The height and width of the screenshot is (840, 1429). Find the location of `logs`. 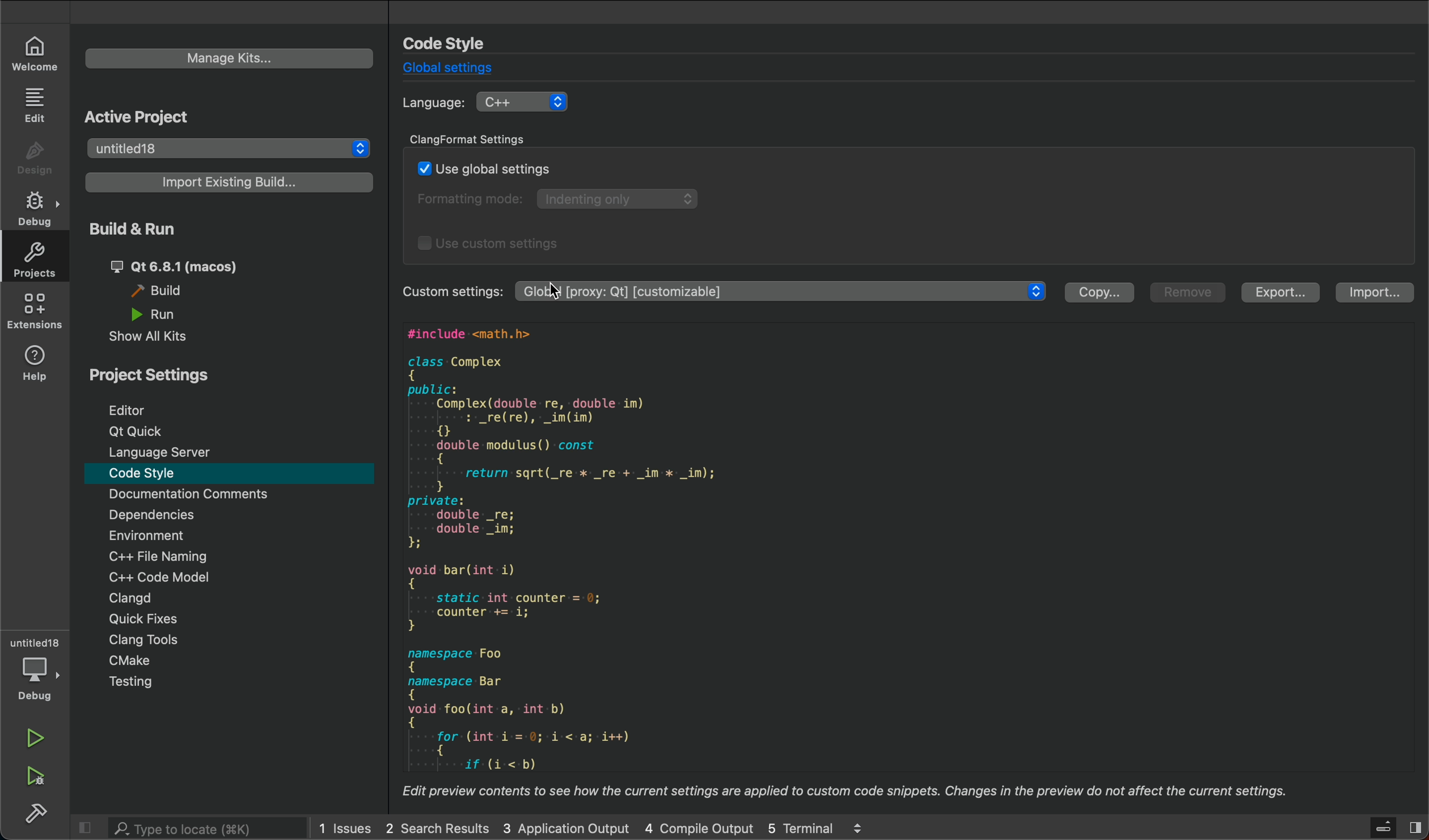

logs is located at coordinates (865, 827).